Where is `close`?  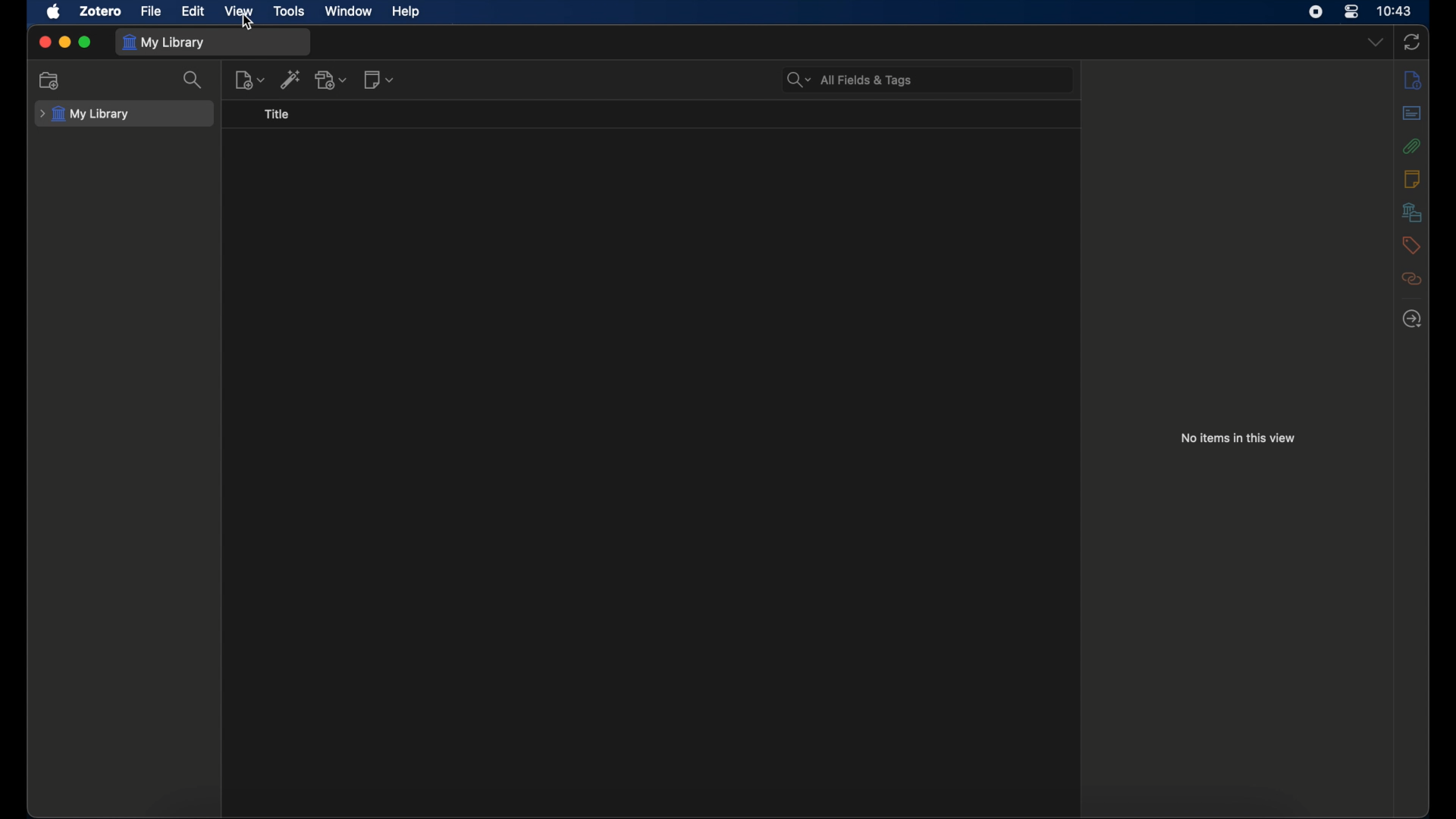 close is located at coordinates (45, 41).